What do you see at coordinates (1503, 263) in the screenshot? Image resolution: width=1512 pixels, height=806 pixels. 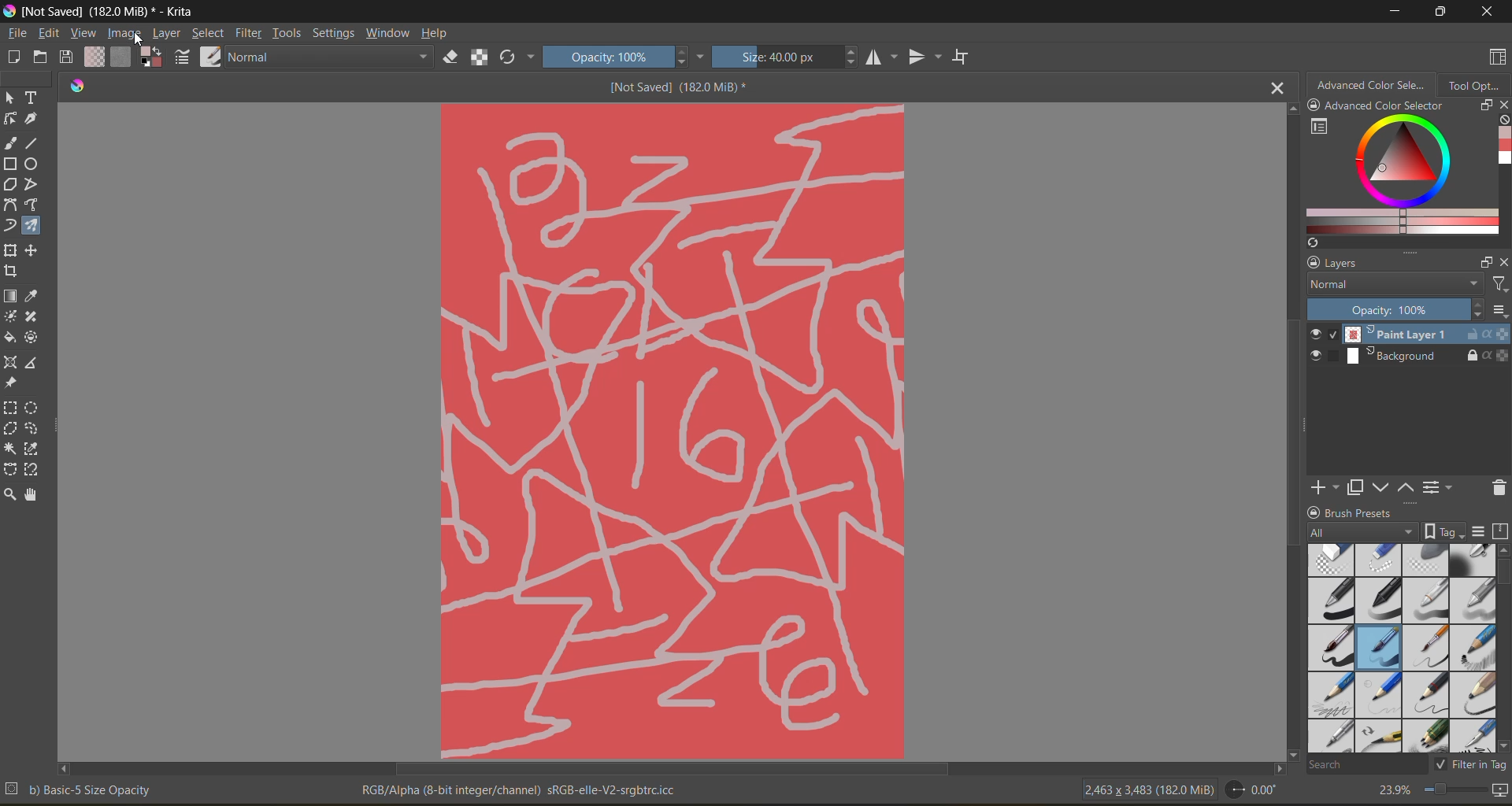 I see `close docker` at bounding box center [1503, 263].